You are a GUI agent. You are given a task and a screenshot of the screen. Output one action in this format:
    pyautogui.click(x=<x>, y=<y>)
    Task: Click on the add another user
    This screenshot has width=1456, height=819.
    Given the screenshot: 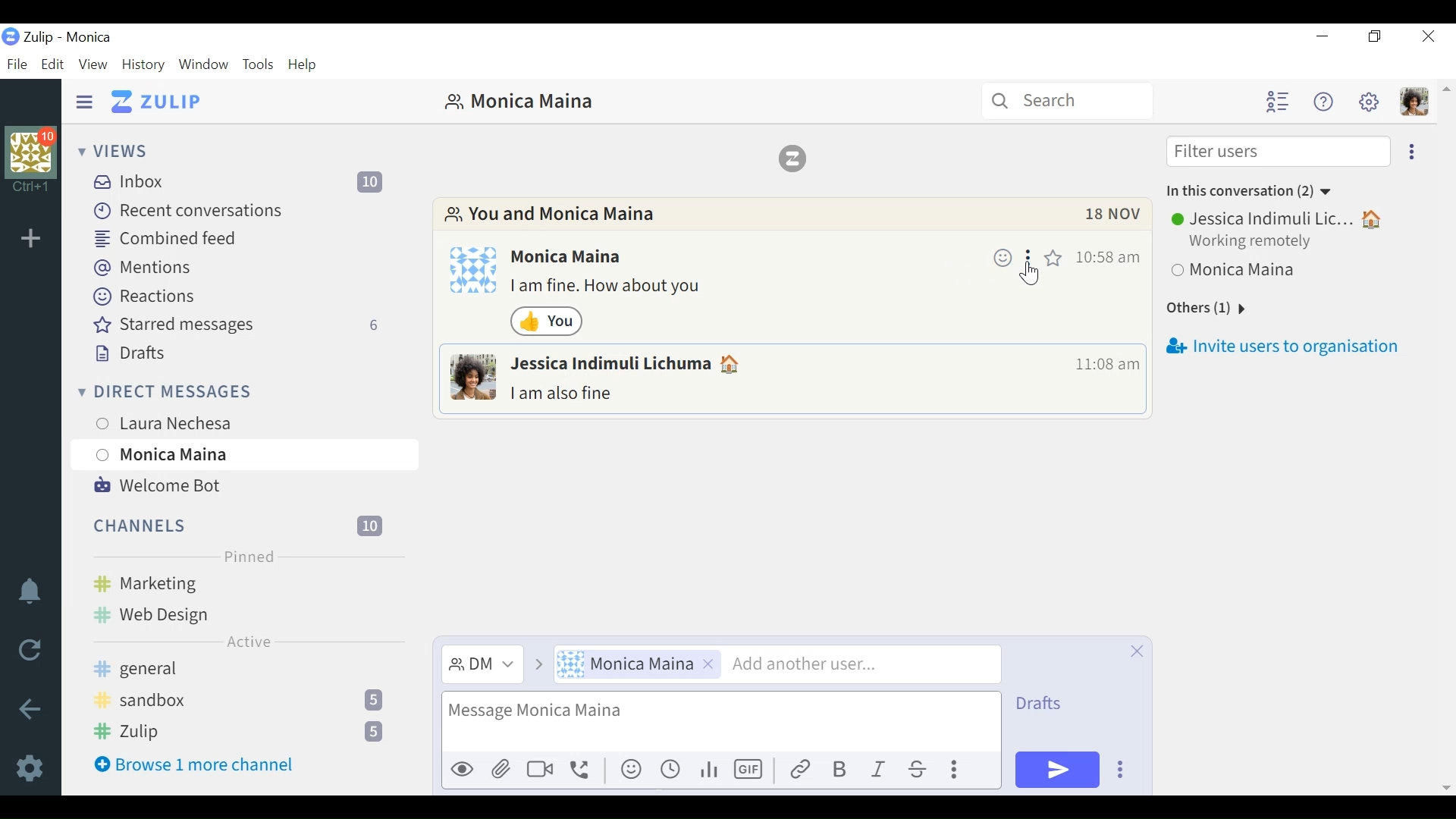 What is the action you would take?
    pyautogui.click(x=861, y=664)
    